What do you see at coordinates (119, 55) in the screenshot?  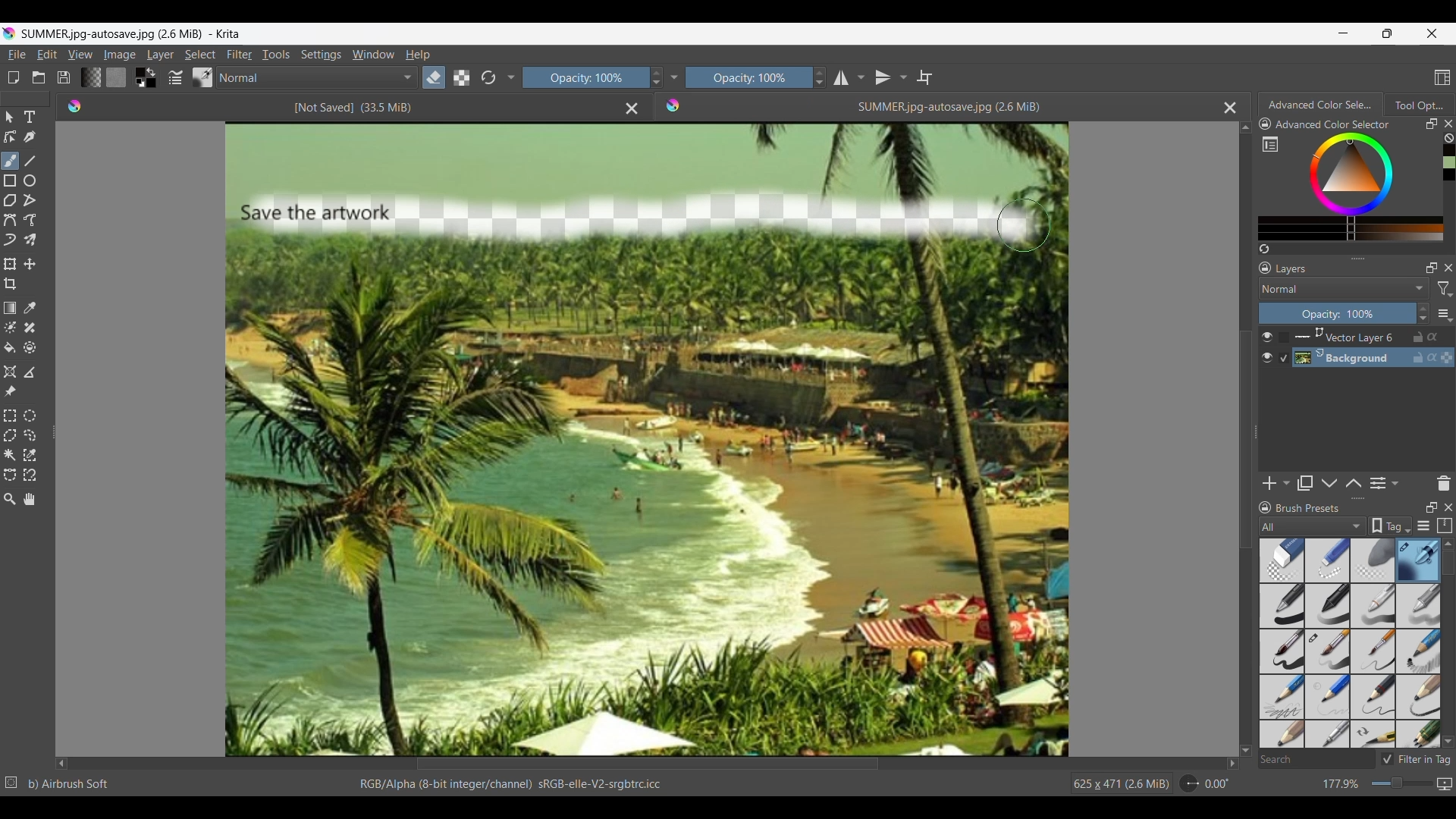 I see `Image` at bounding box center [119, 55].